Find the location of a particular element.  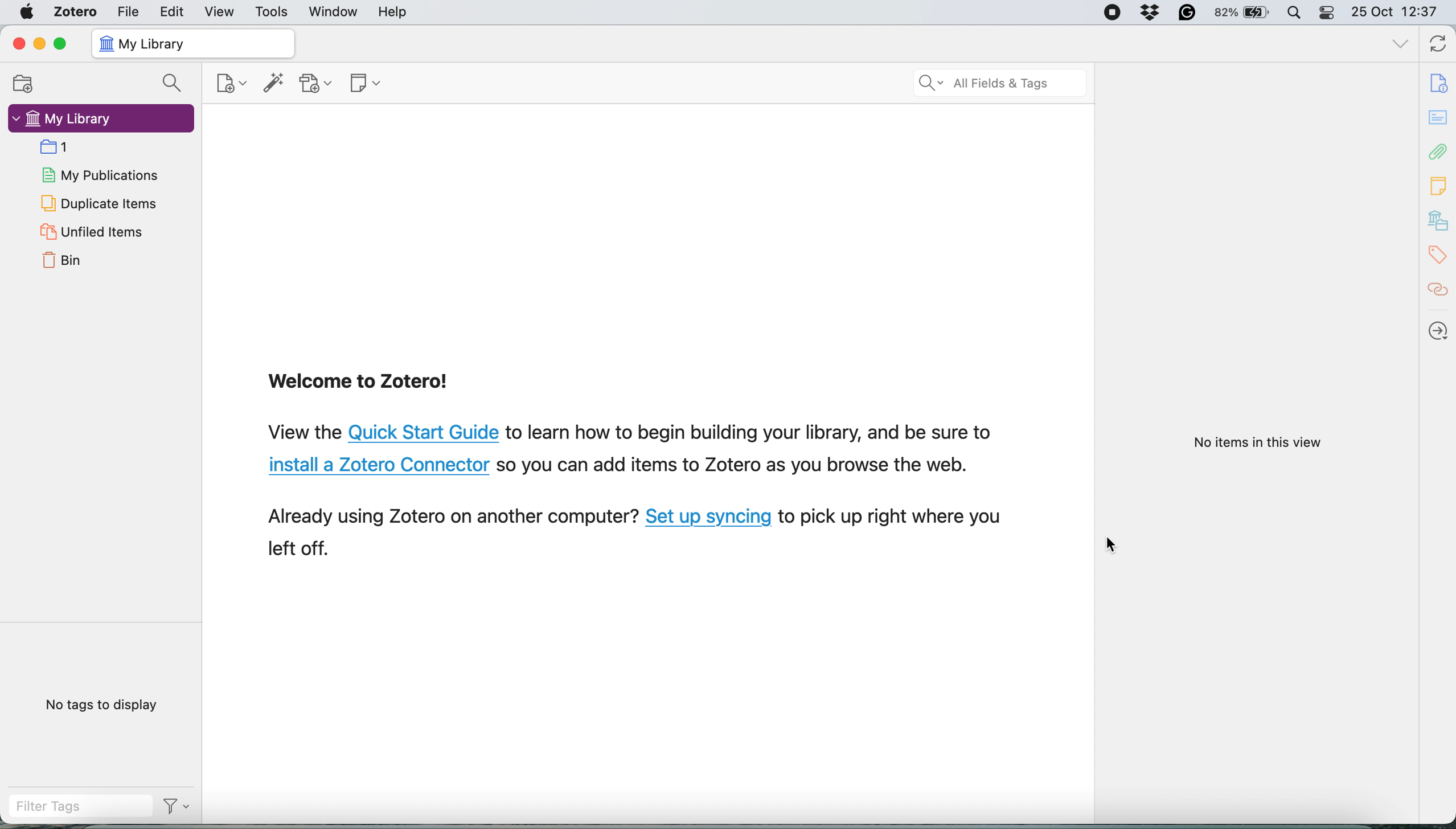

No items in this view is located at coordinates (1260, 443).